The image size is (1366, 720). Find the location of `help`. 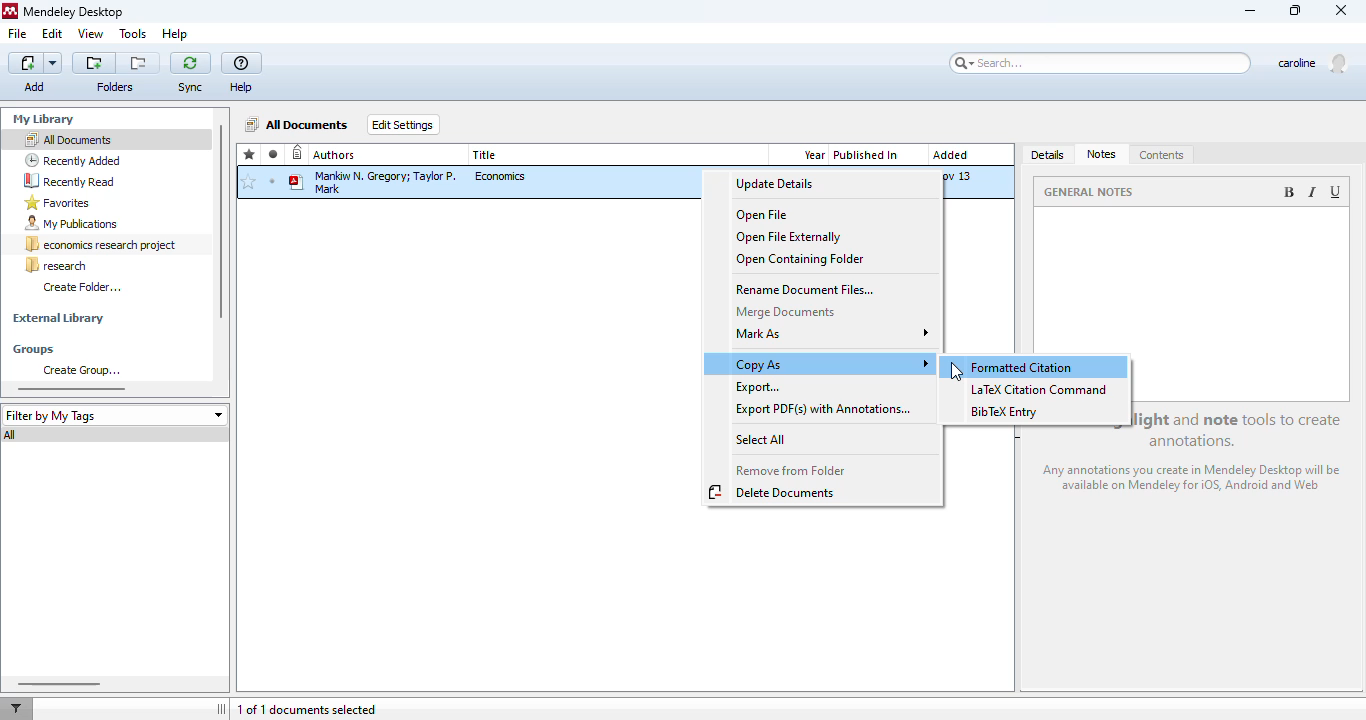

help is located at coordinates (175, 34).